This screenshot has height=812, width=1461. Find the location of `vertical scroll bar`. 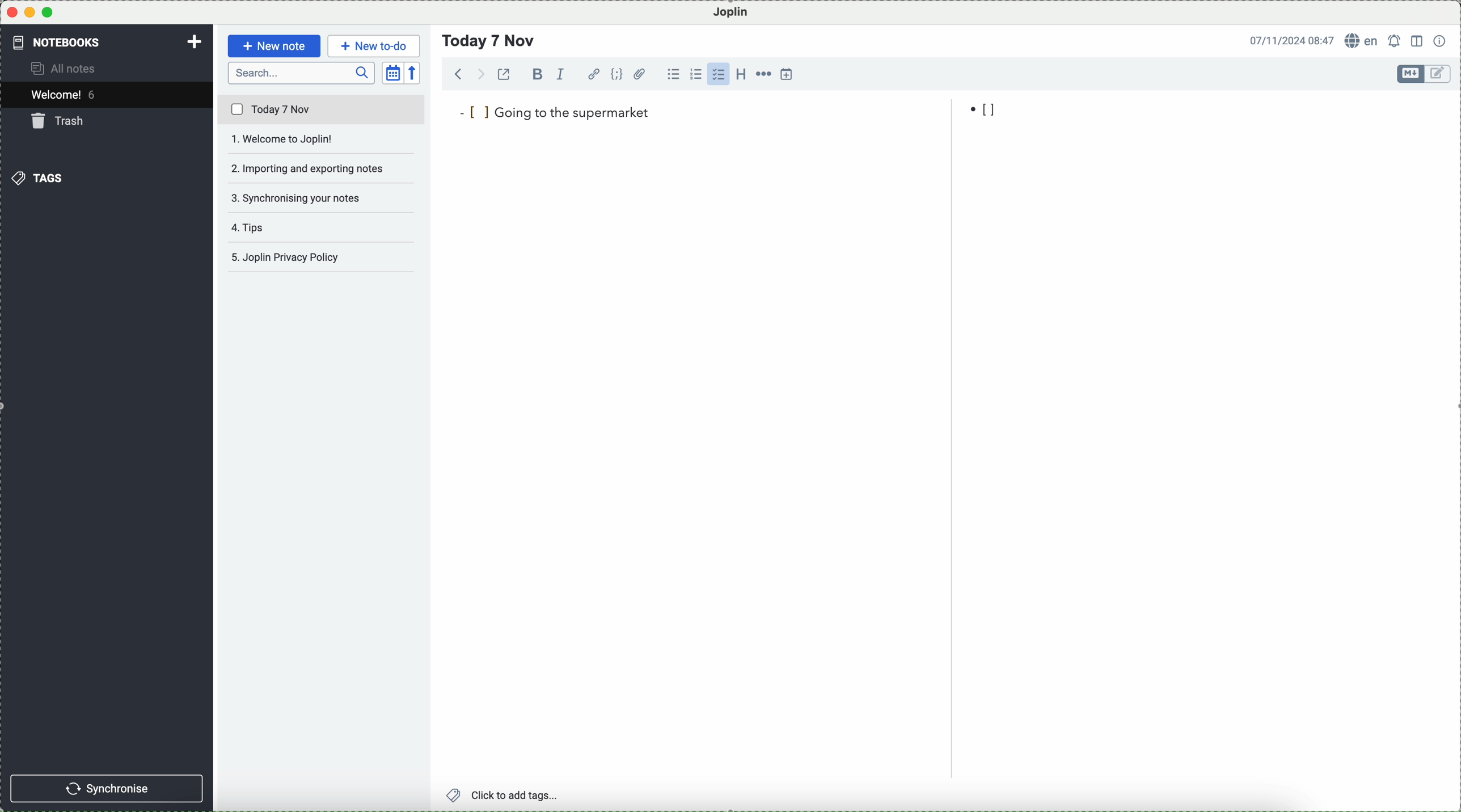

vertical scroll bar is located at coordinates (1451, 192).